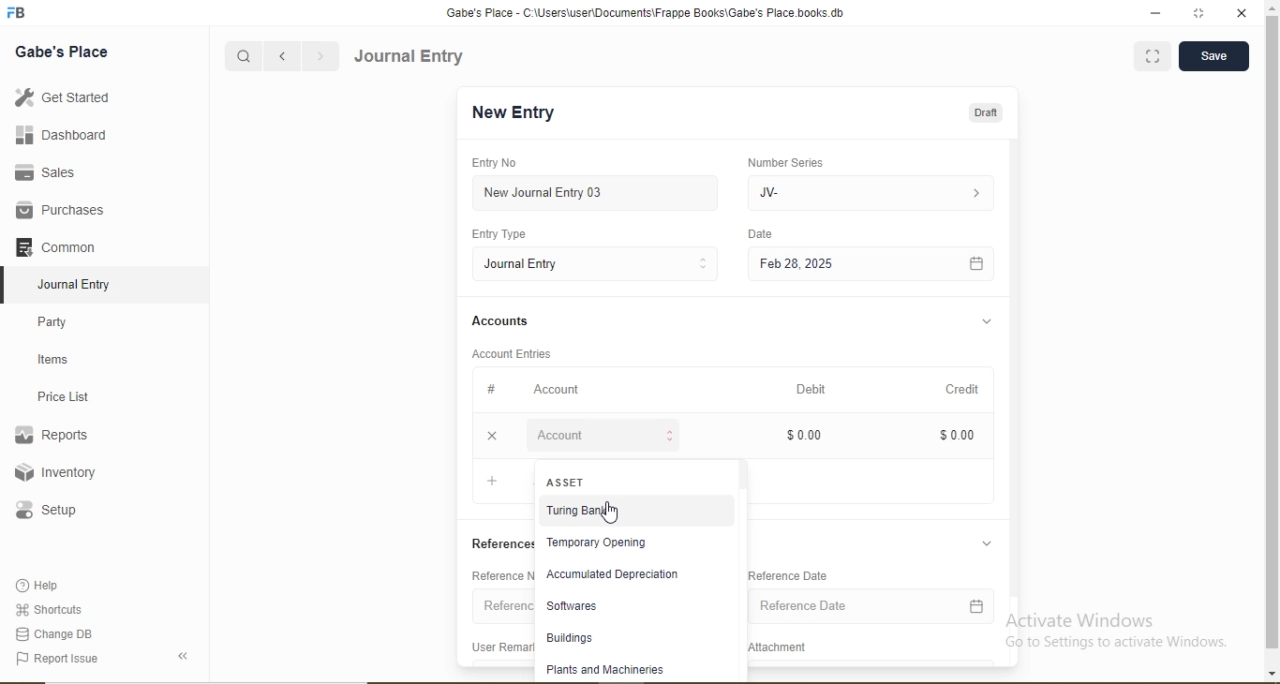  I want to click on Purchases, so click(59, 210).